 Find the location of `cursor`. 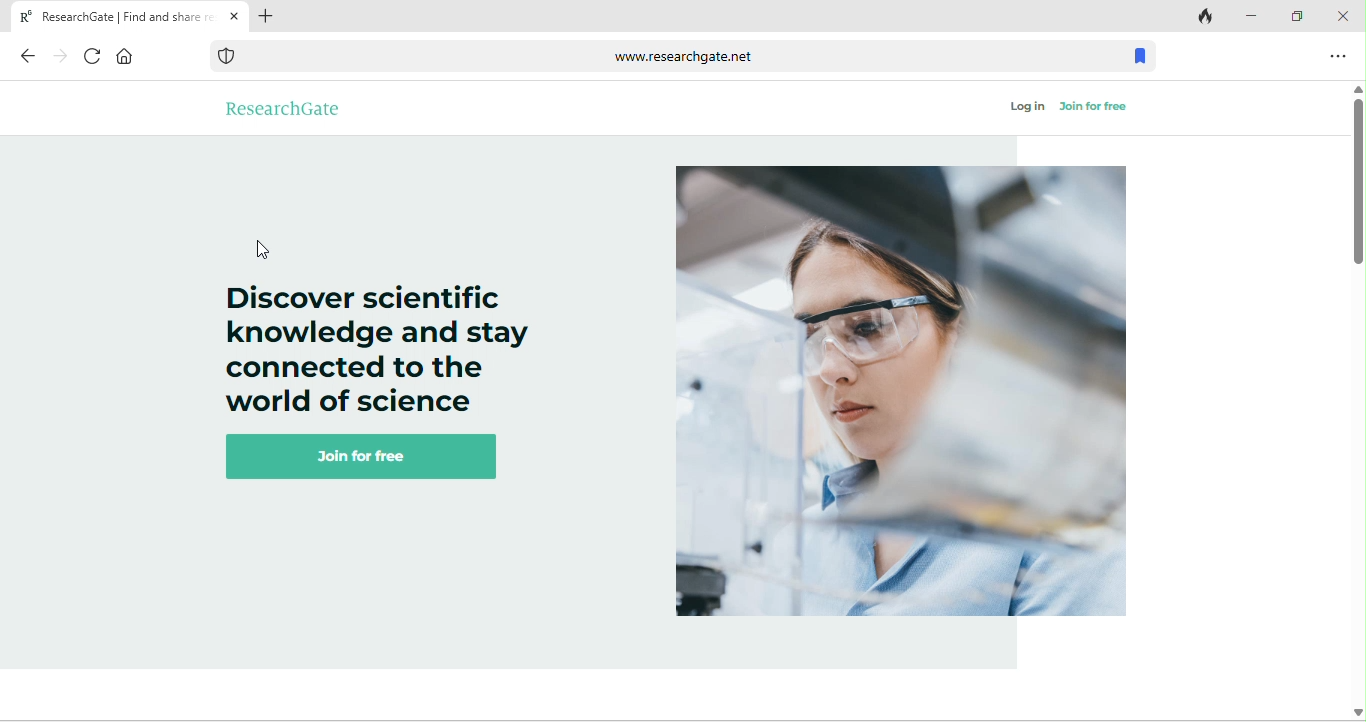

cursor is located at coordinates (263, 250).